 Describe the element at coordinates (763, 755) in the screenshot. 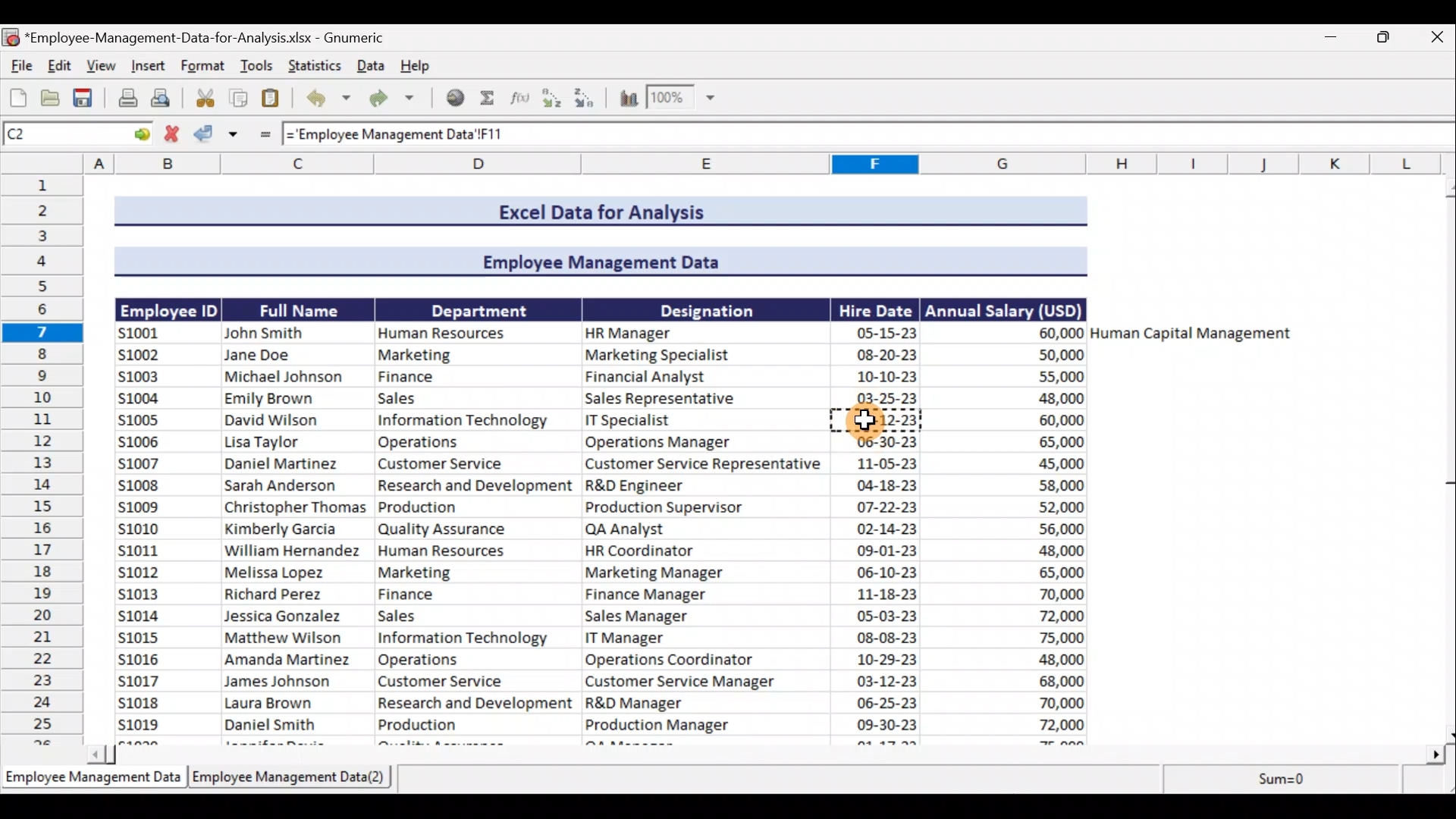

I see `Scroll bar` at that location.